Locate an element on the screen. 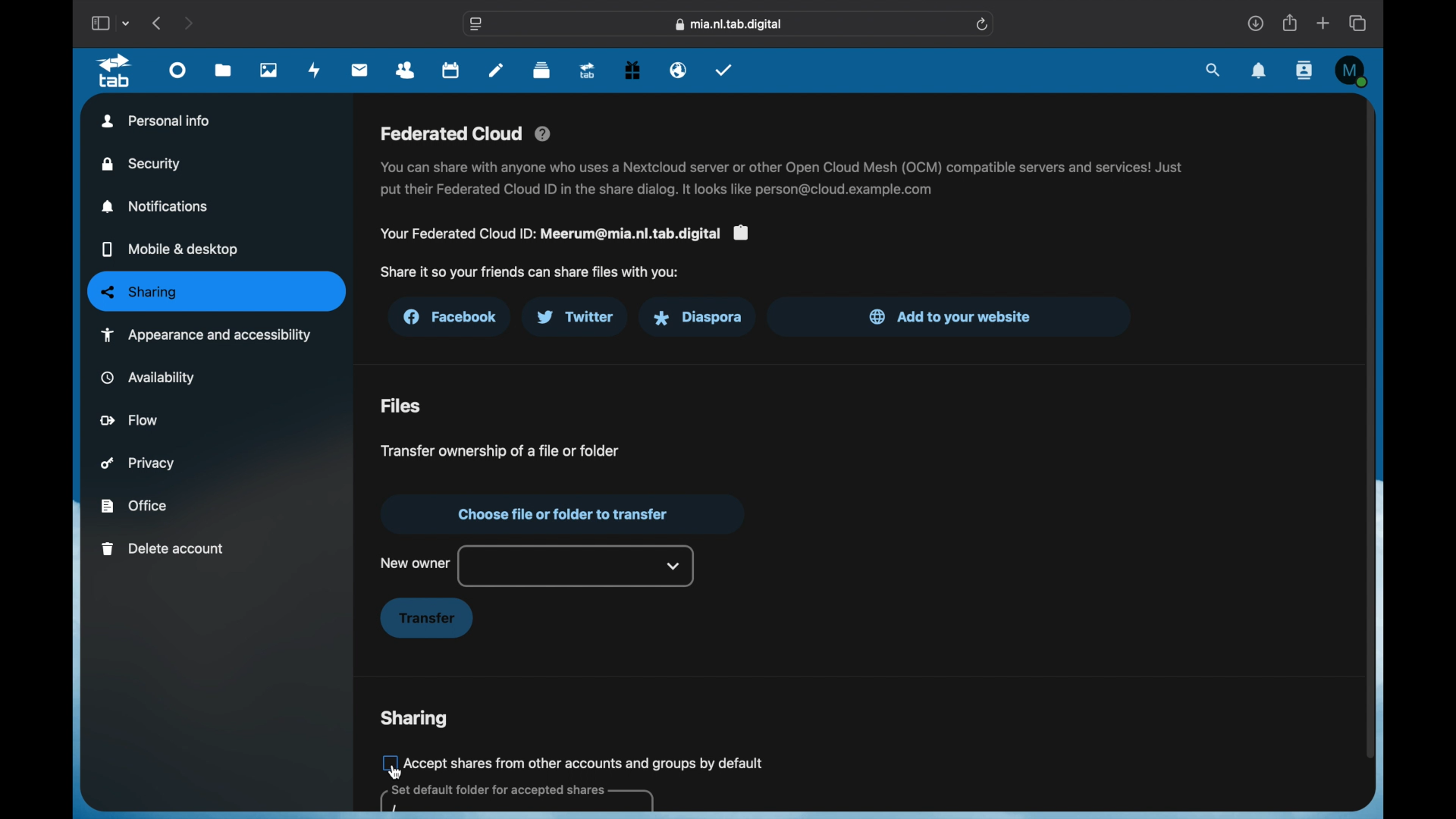  deck is located at coordinates (541, 71).